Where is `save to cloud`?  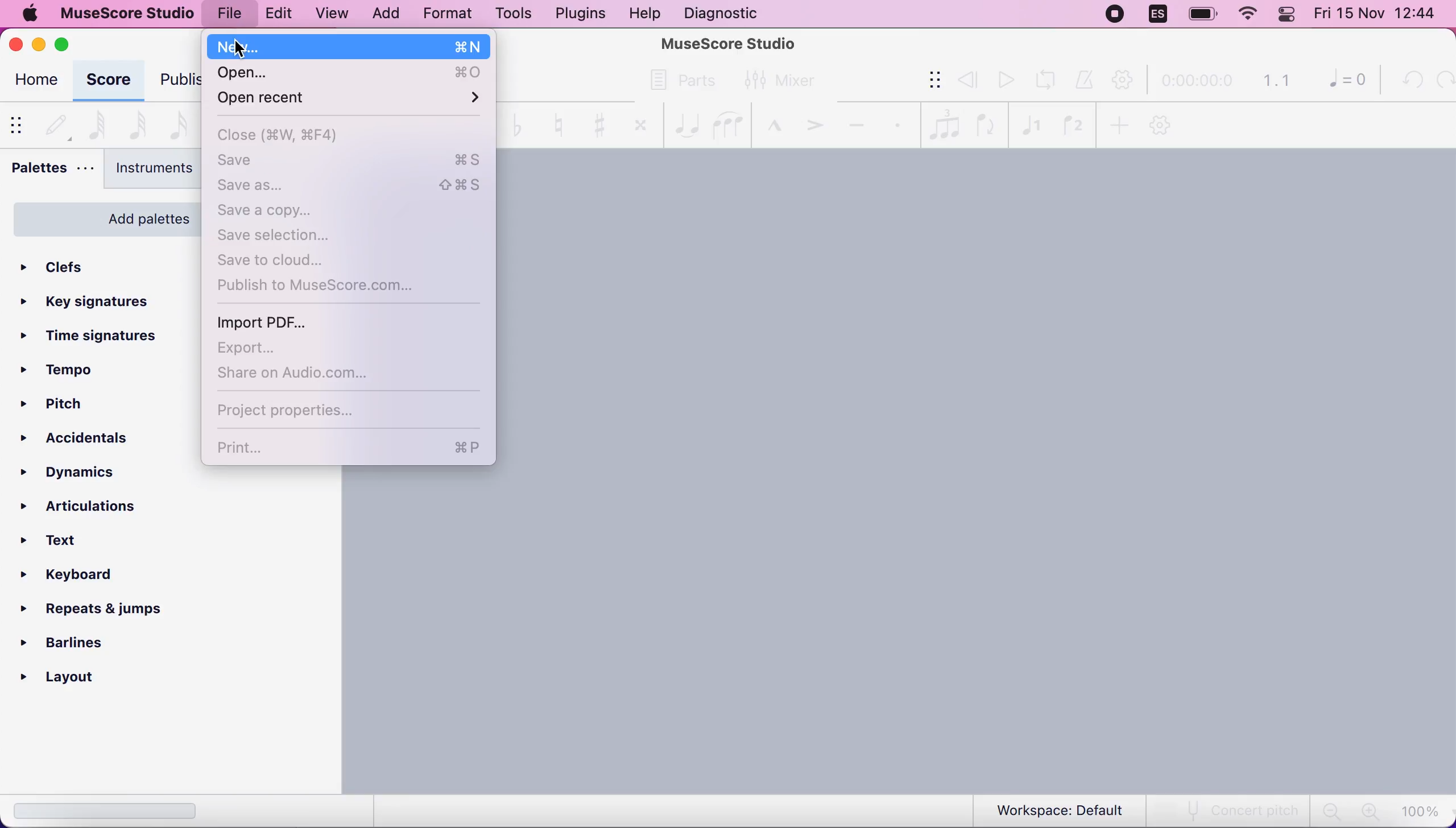 save to cloud is located at coordinates (299, 262).